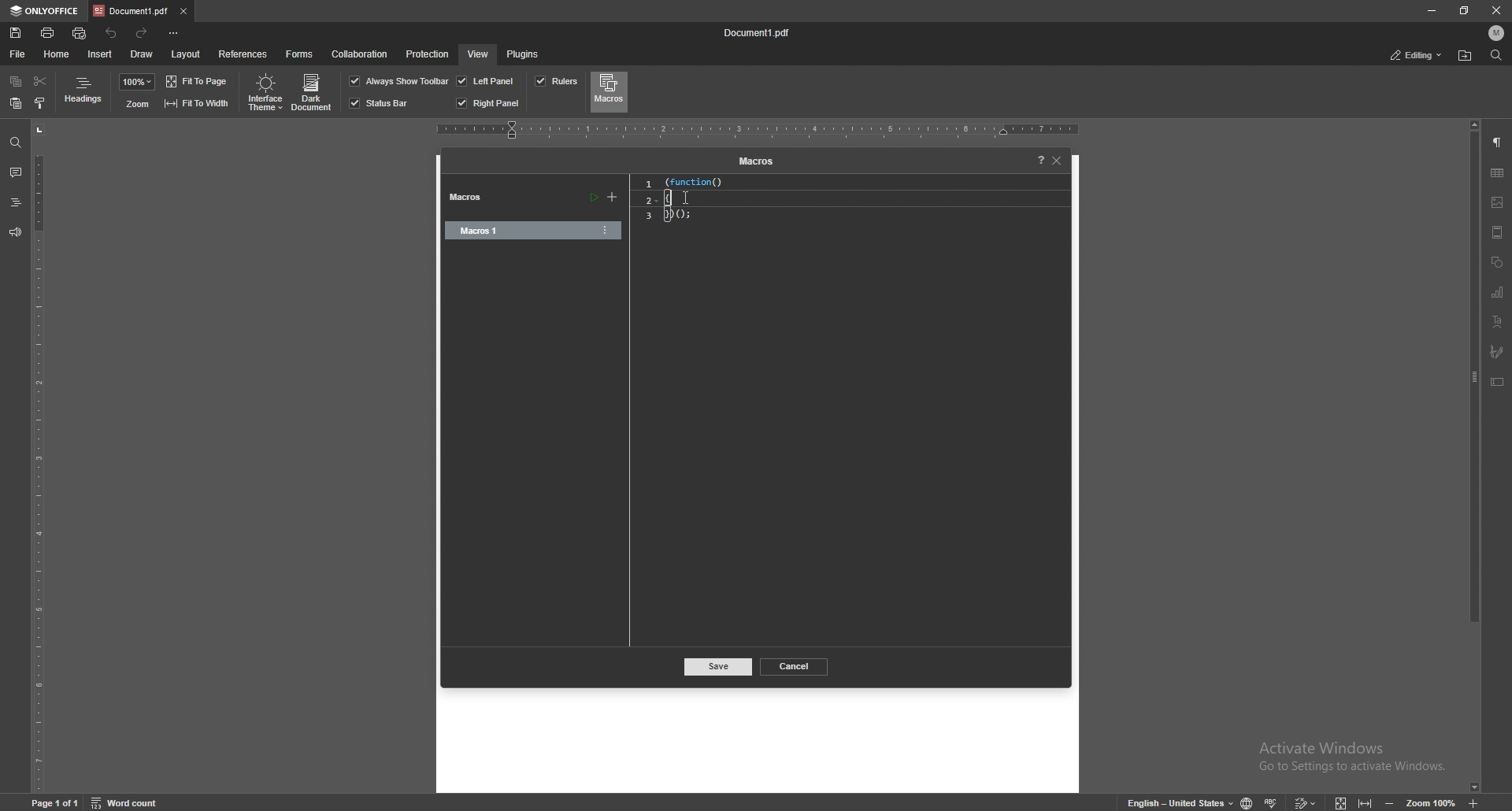 The height and width of the screenshot is (811, 1512). Describe the element at coordinates (44, 11) in the screenshot. I see `onlyoffice` at that location.